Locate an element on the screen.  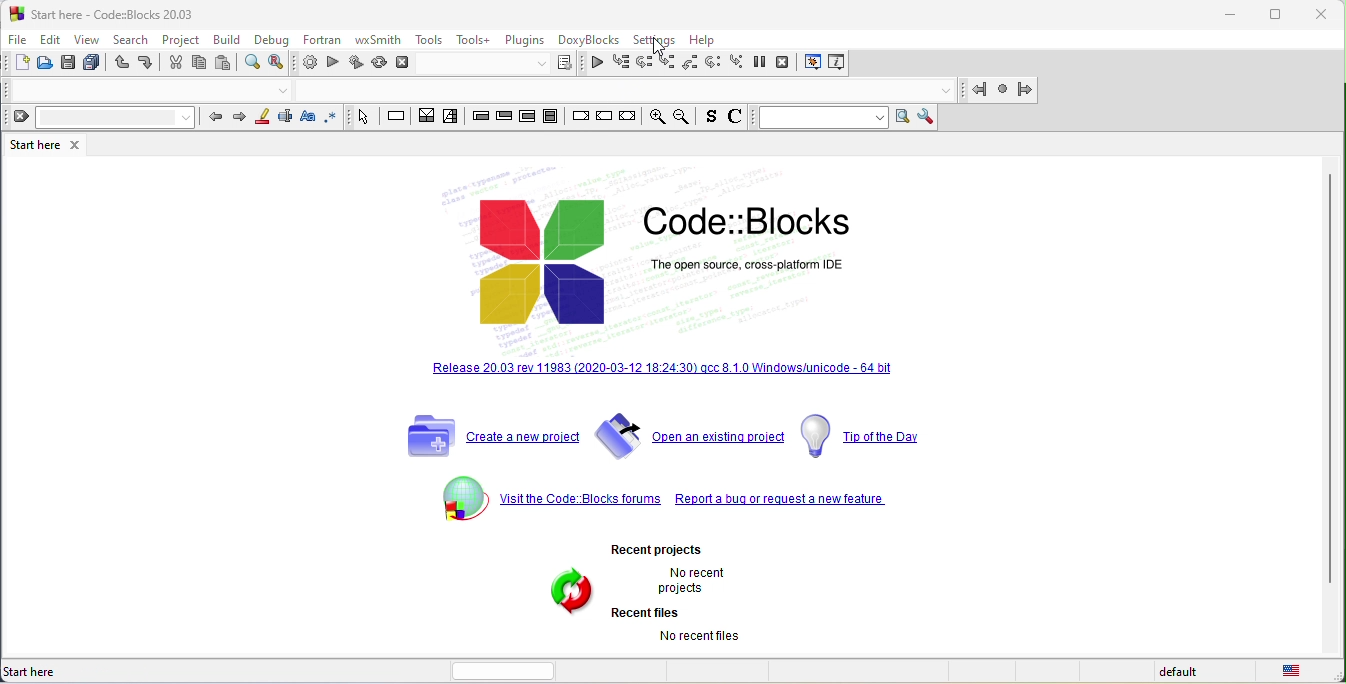
selected text is located at coordinates (288, 117).